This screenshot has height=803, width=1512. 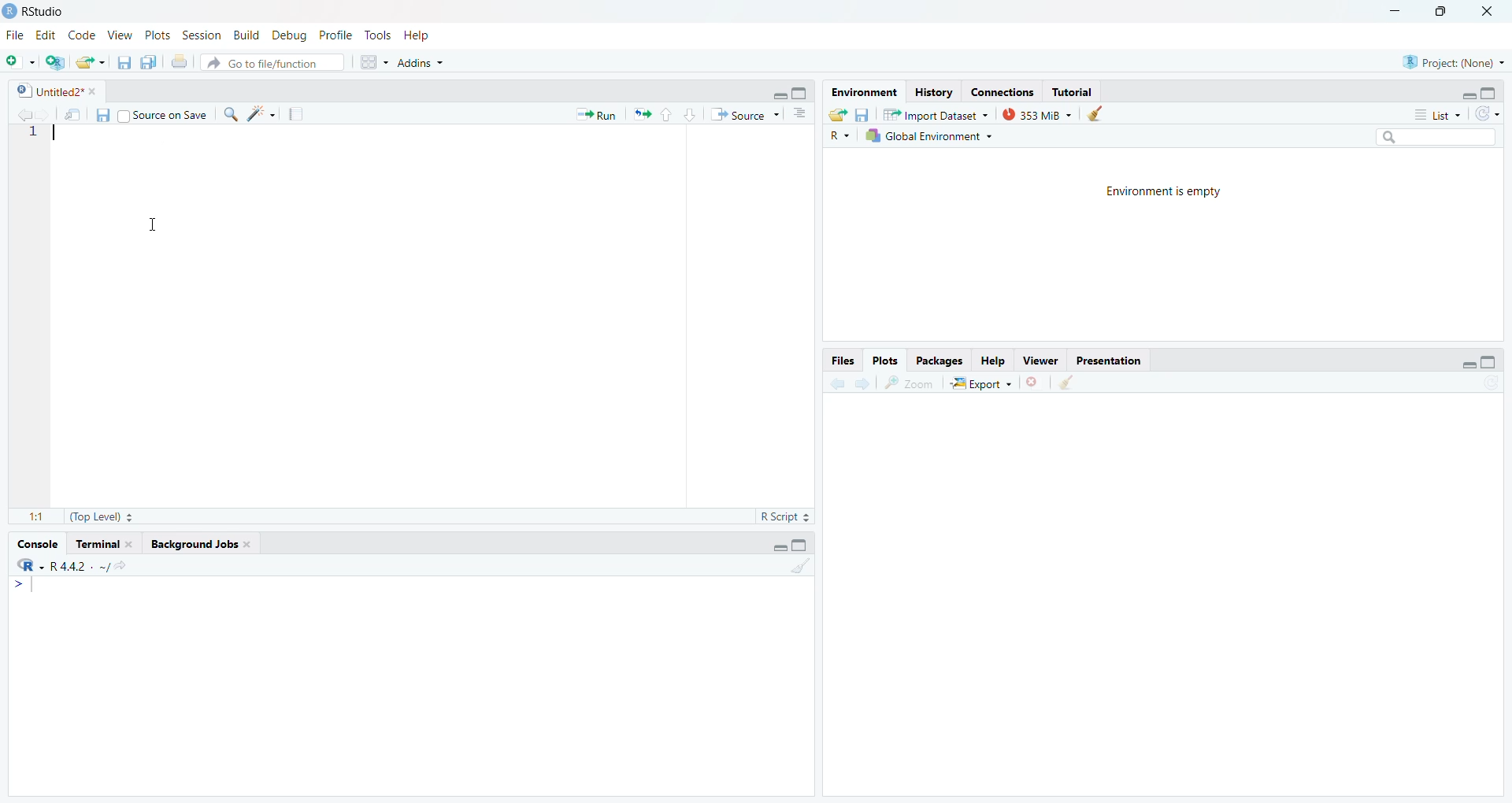 I want to click on  RStudio, so click(x=38, y=10).